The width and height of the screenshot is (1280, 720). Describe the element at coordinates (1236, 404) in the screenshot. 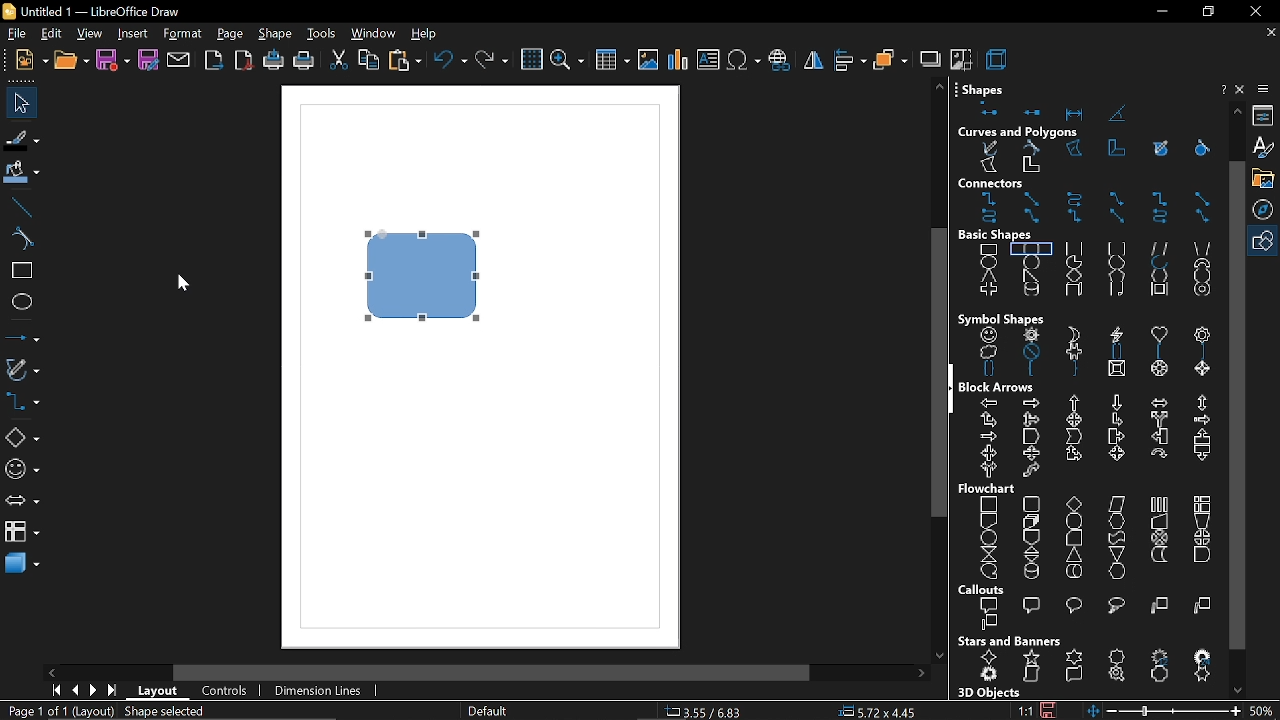

I see `vertical scrollbar` at that location.